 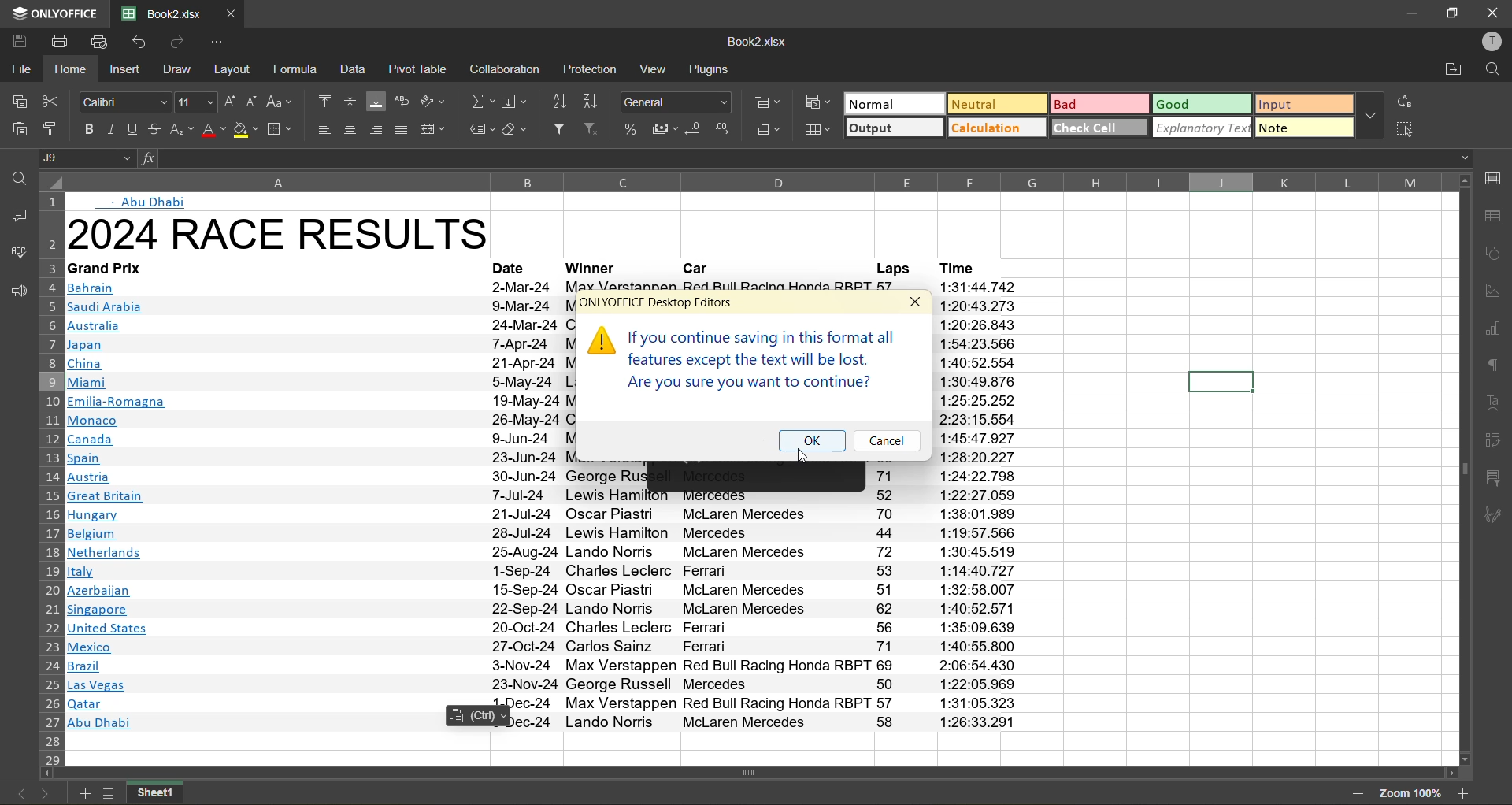 What do you see at coordinates (543, 534) in the screenshot?
I see `text info` at bounding box center [543, 534].